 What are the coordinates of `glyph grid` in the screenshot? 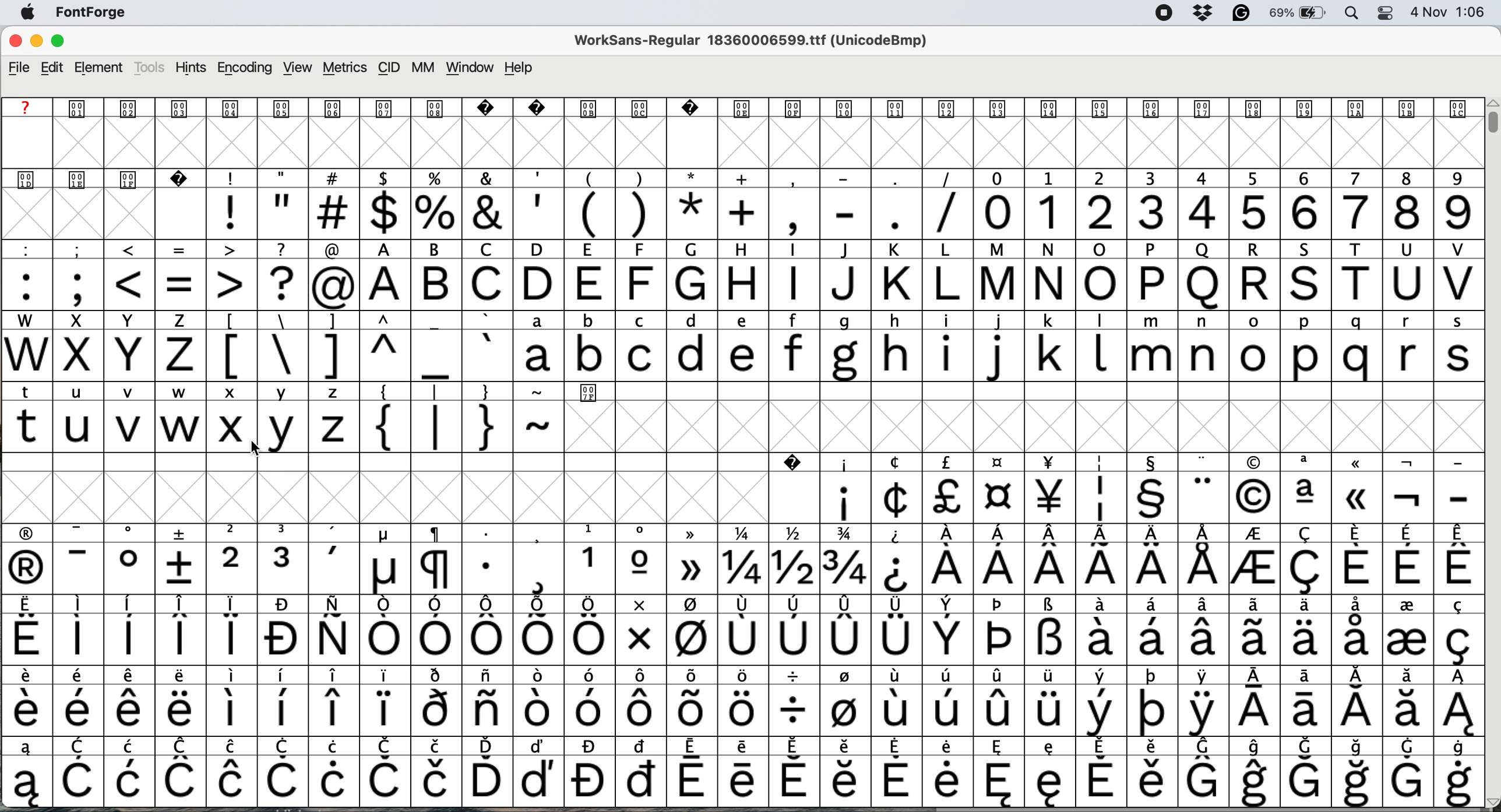 It's located at (108, 217).